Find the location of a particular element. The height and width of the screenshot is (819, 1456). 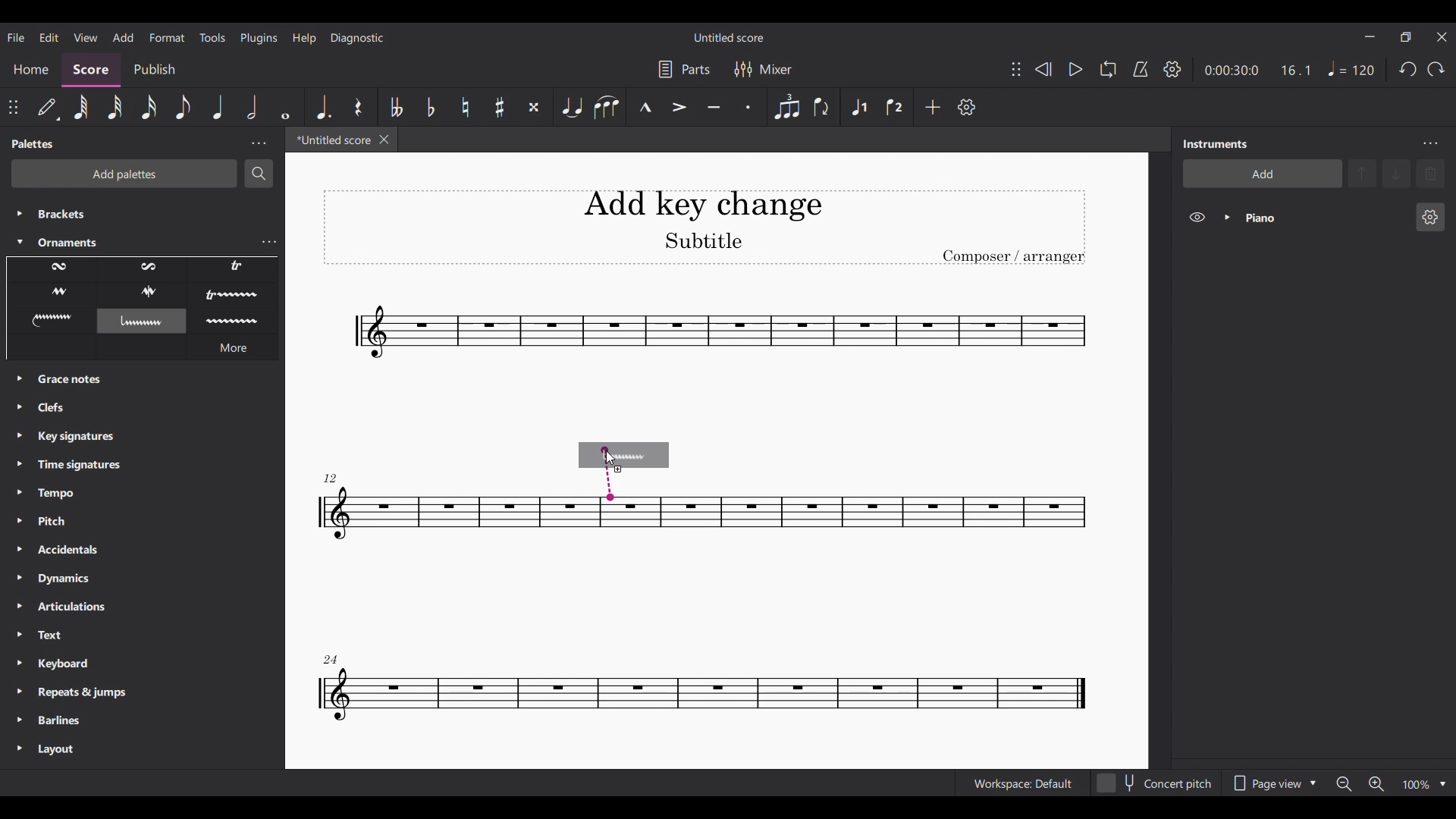

Quarter note is located at coordinates (1351, 68).